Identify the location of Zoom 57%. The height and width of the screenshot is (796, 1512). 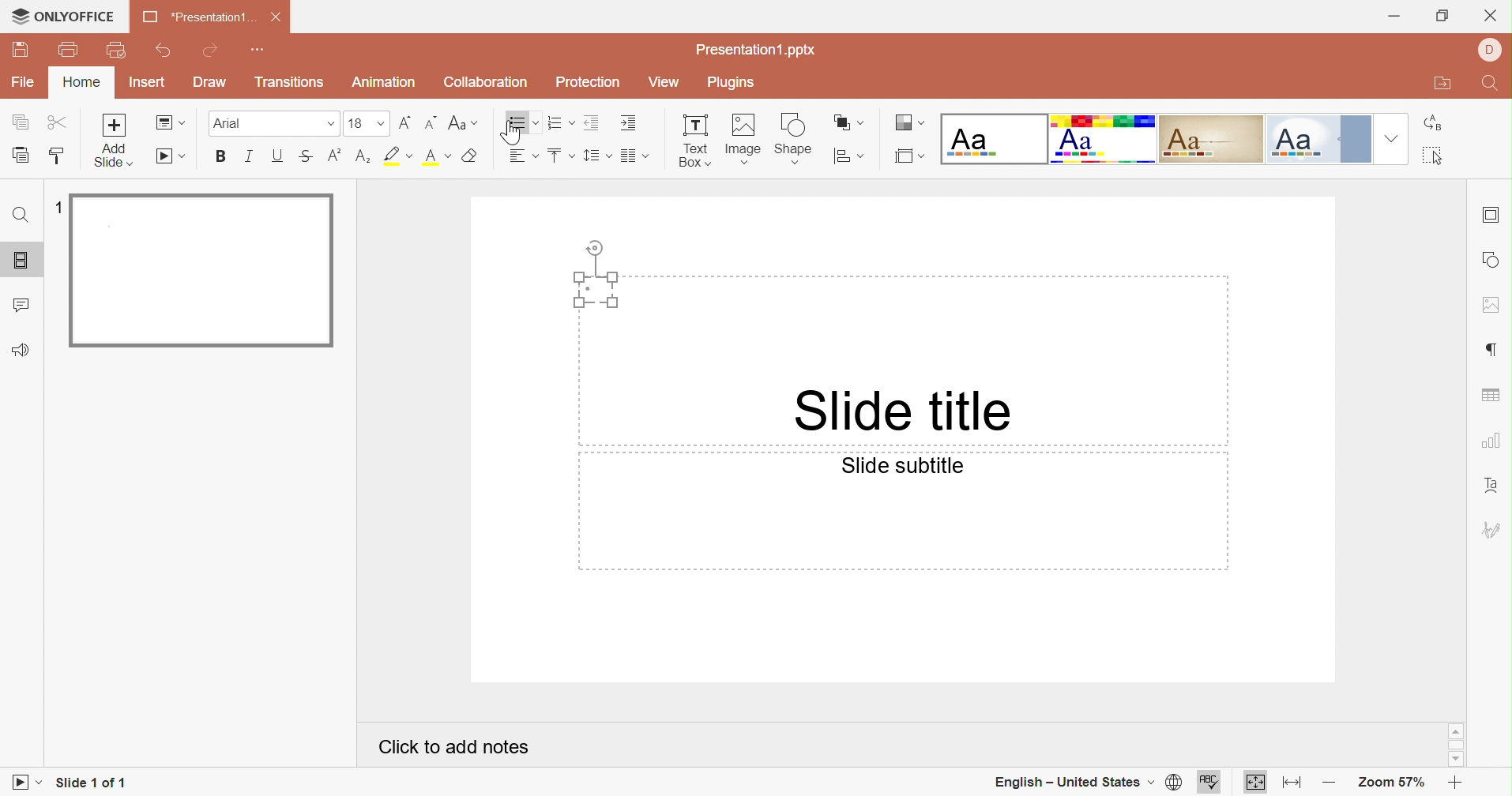
(1390, 783).